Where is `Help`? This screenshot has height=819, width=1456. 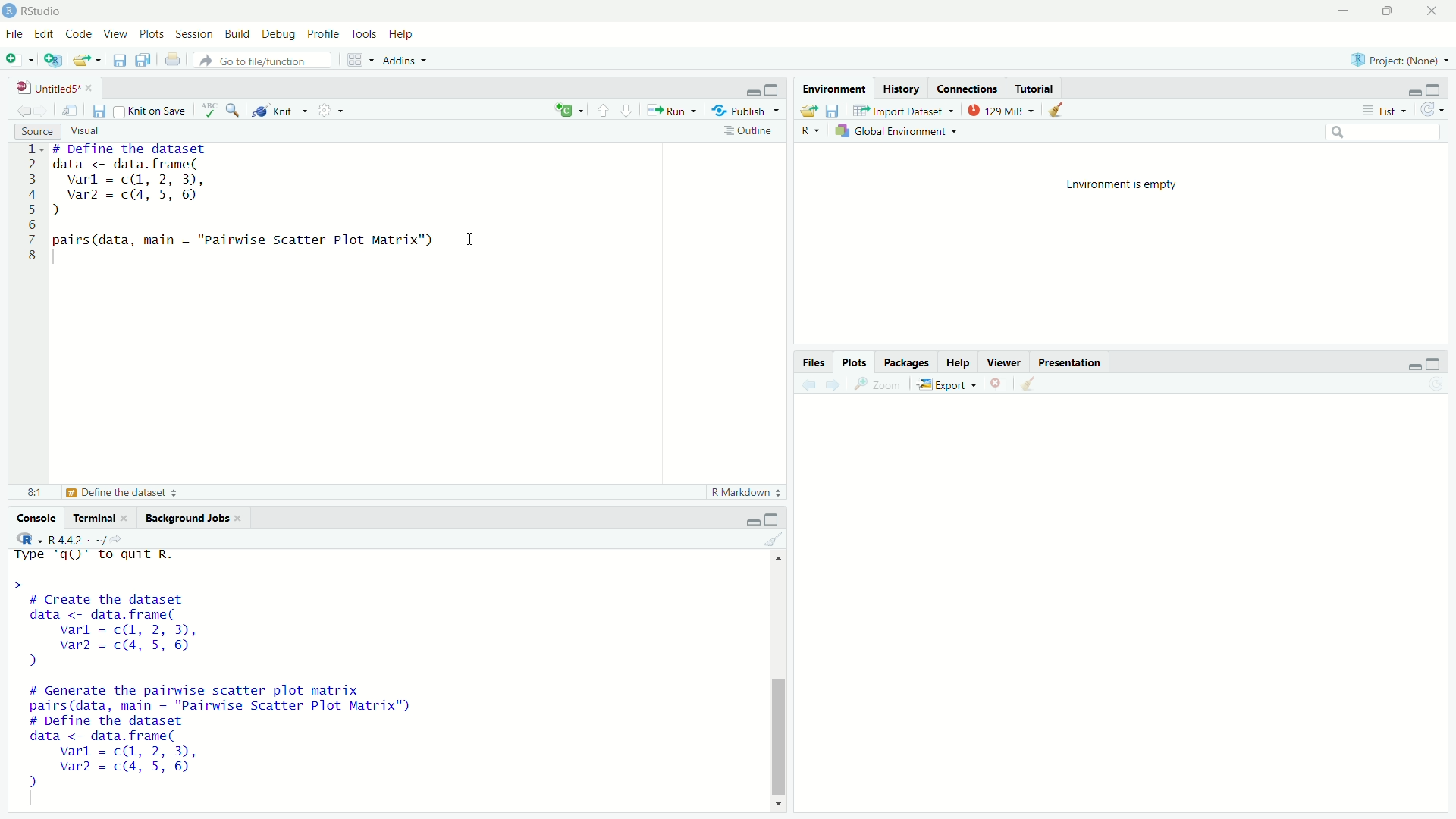 Help is located at coordinates (400, 32).